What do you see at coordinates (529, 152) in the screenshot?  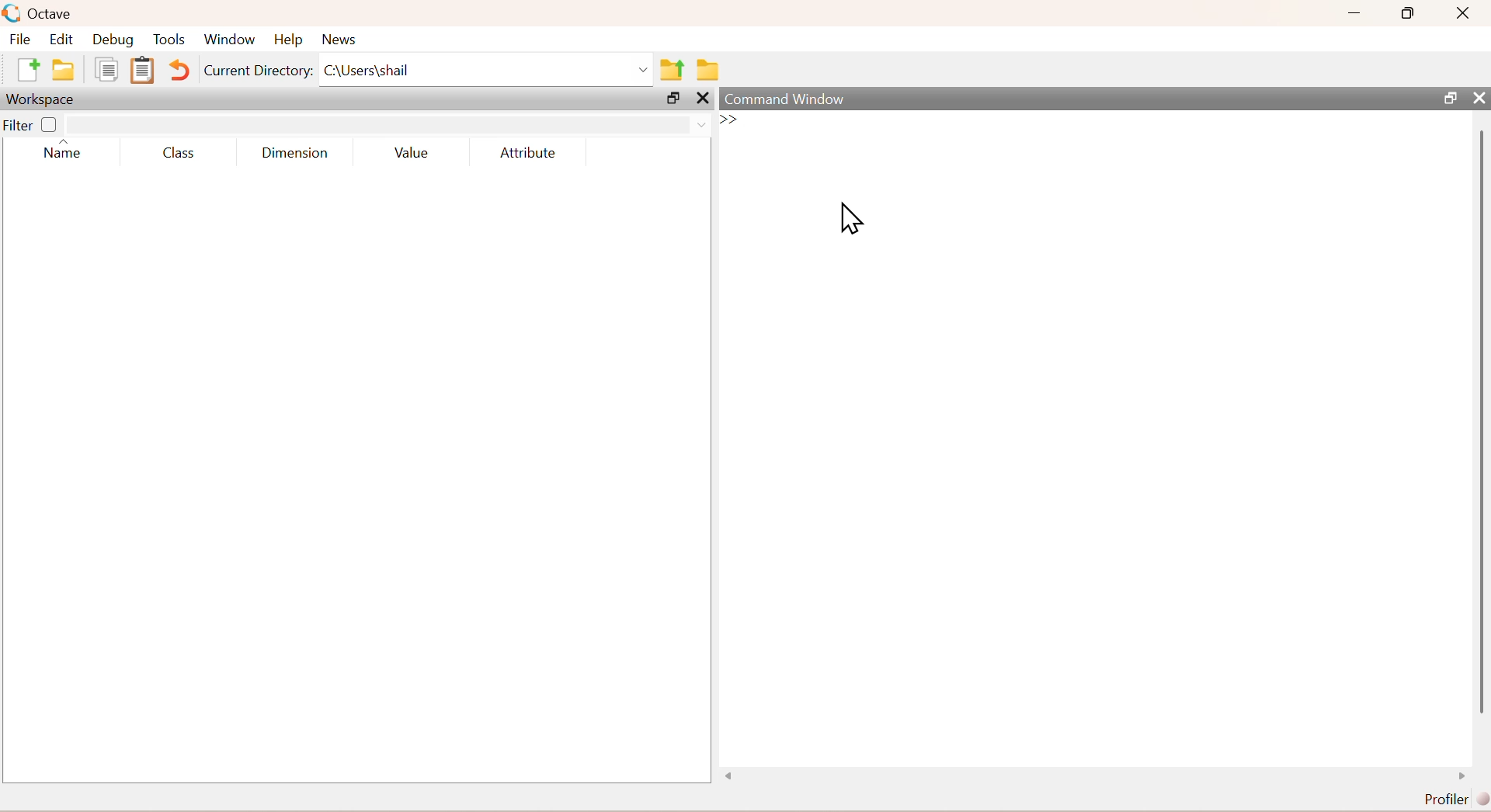 I see `Attribute` at bounding box center [529, 152].